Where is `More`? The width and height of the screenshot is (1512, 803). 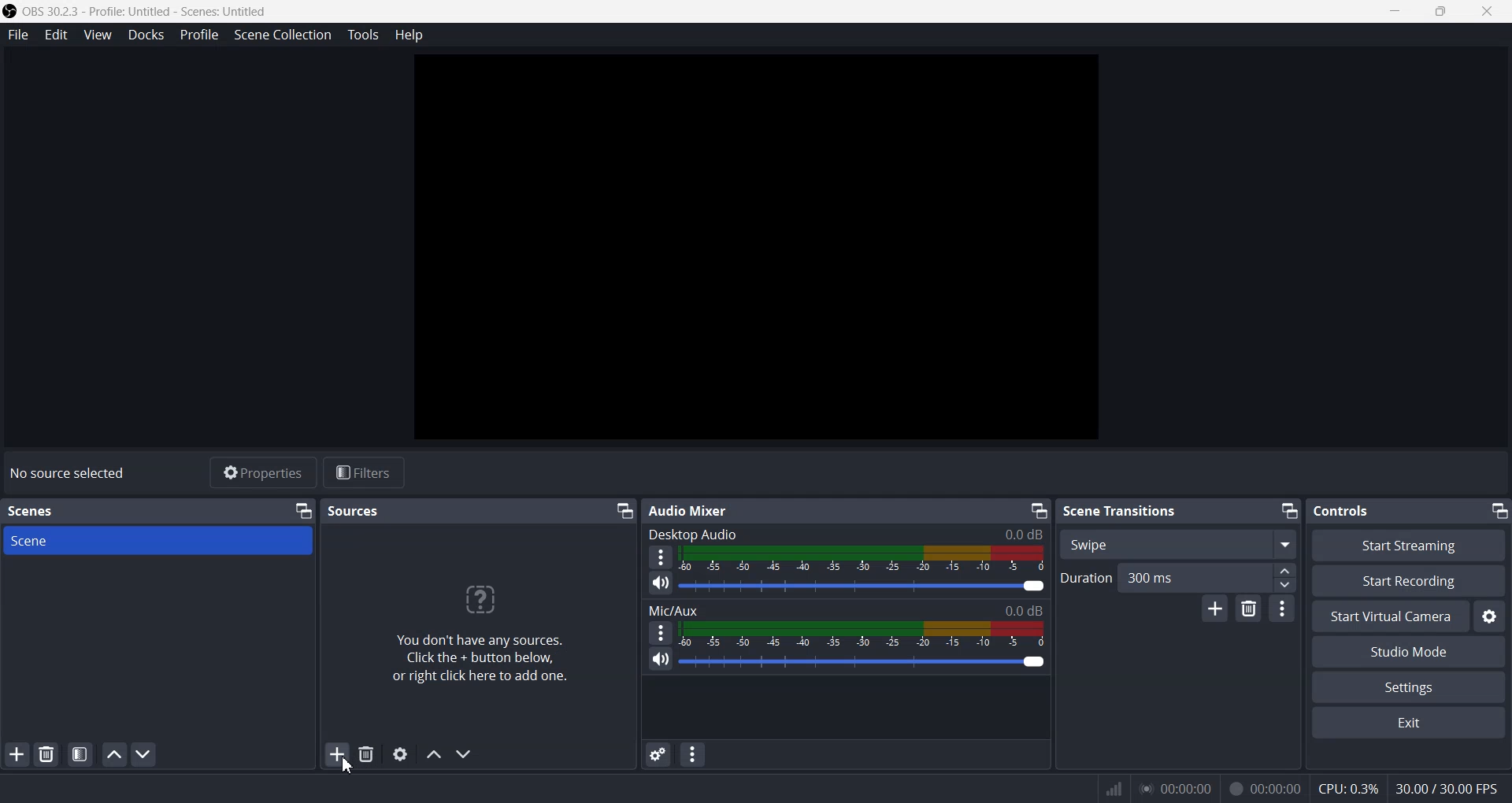
More is located at coordinates (1283, 607).